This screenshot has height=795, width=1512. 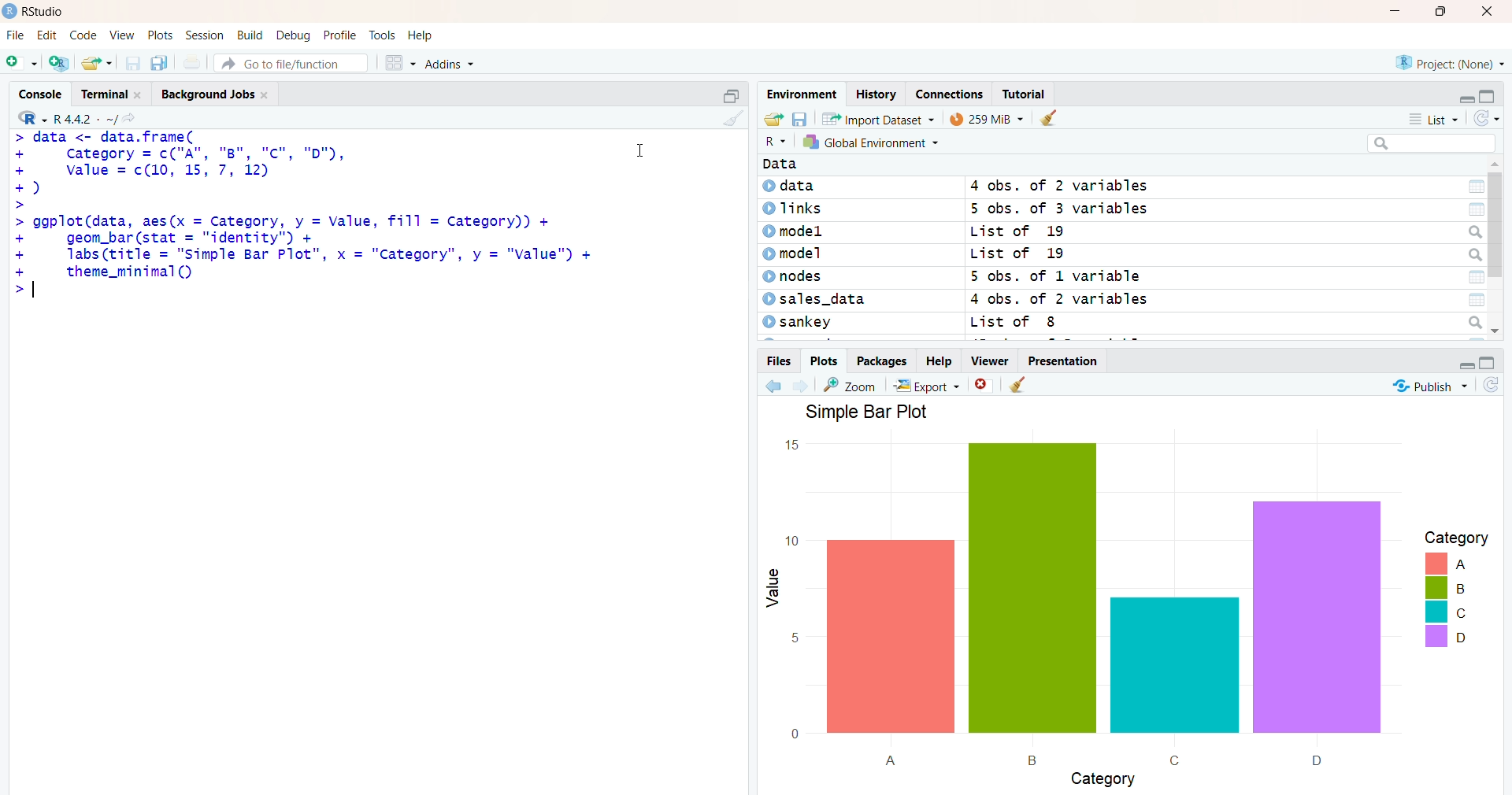 What do you see at coordinates (1490, 93) in the screenshot?
I see `maximize` at bounding box center [1490, 93].